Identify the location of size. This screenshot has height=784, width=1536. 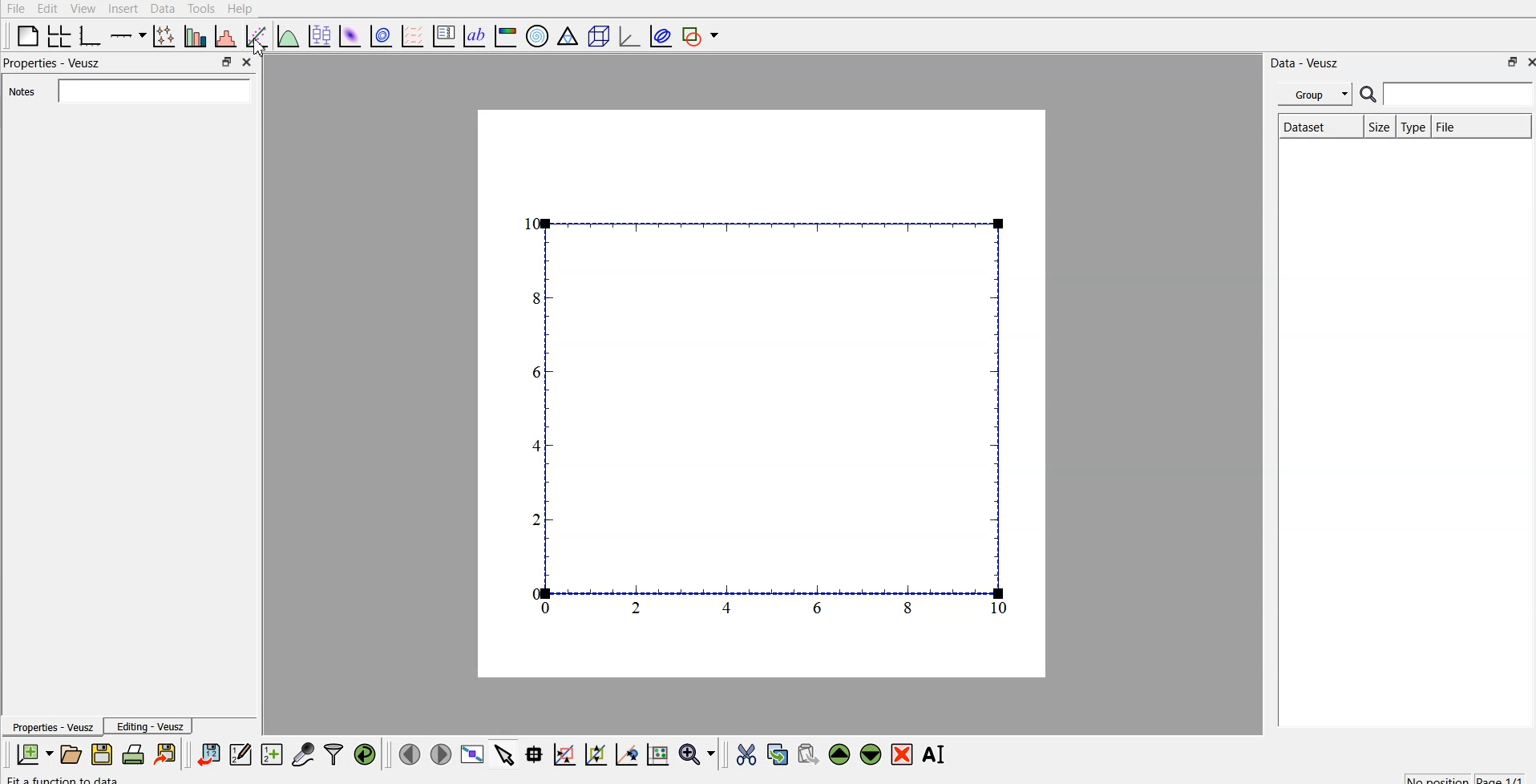
(1378, 126).